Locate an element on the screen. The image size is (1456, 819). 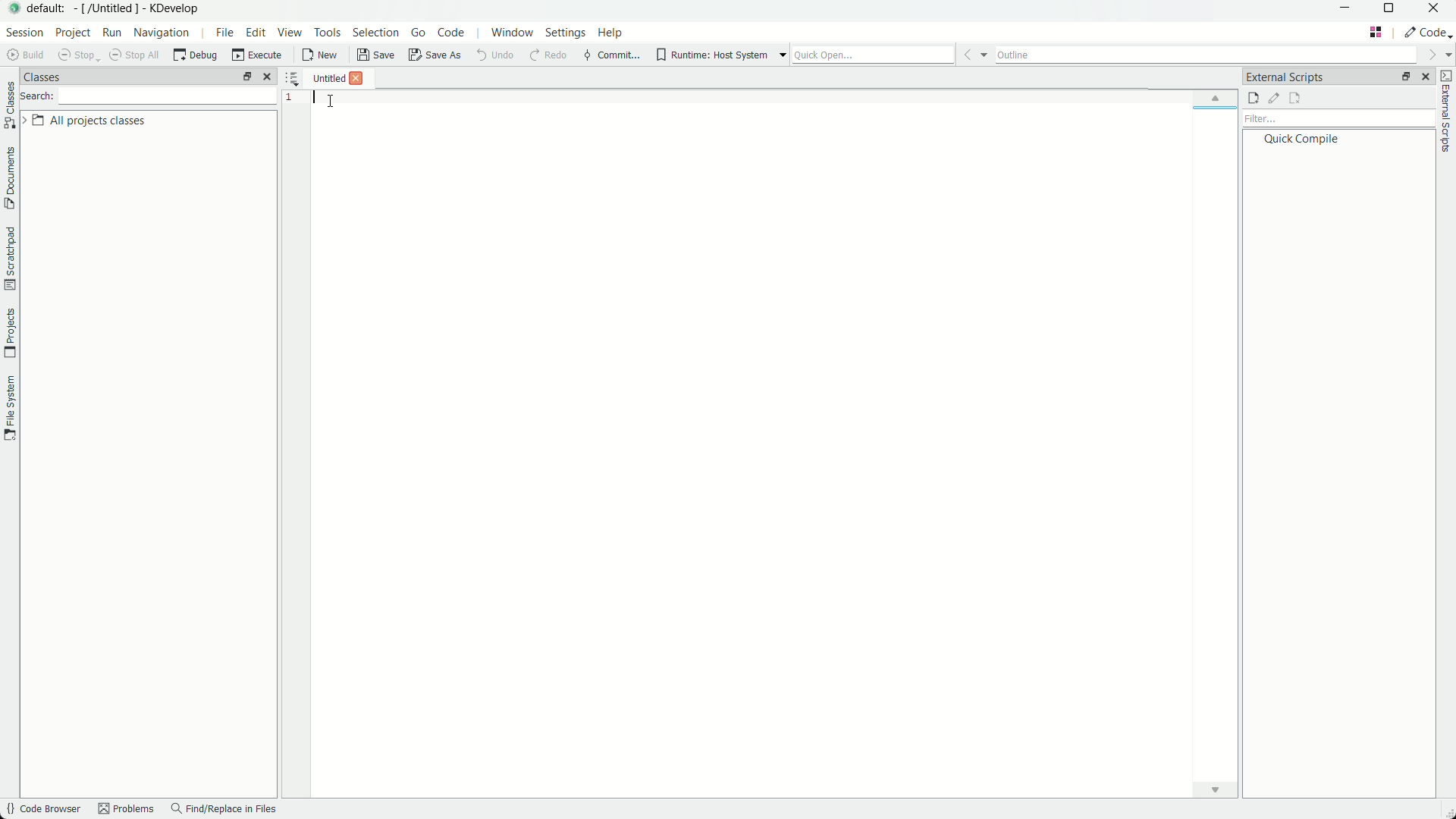
commit is located at coordinates (611, 55).